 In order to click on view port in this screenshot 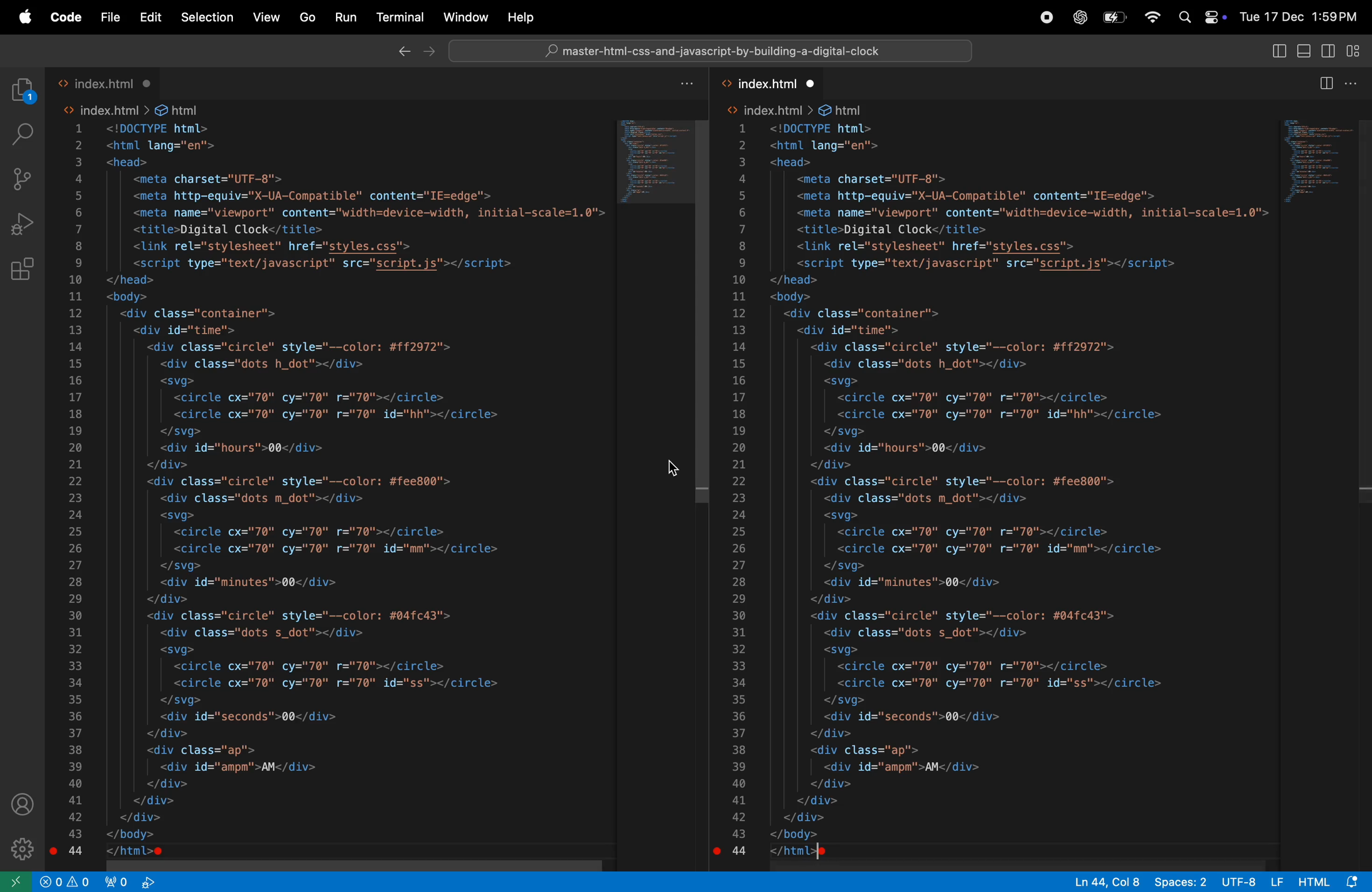, I will do `click(131, 882)`.